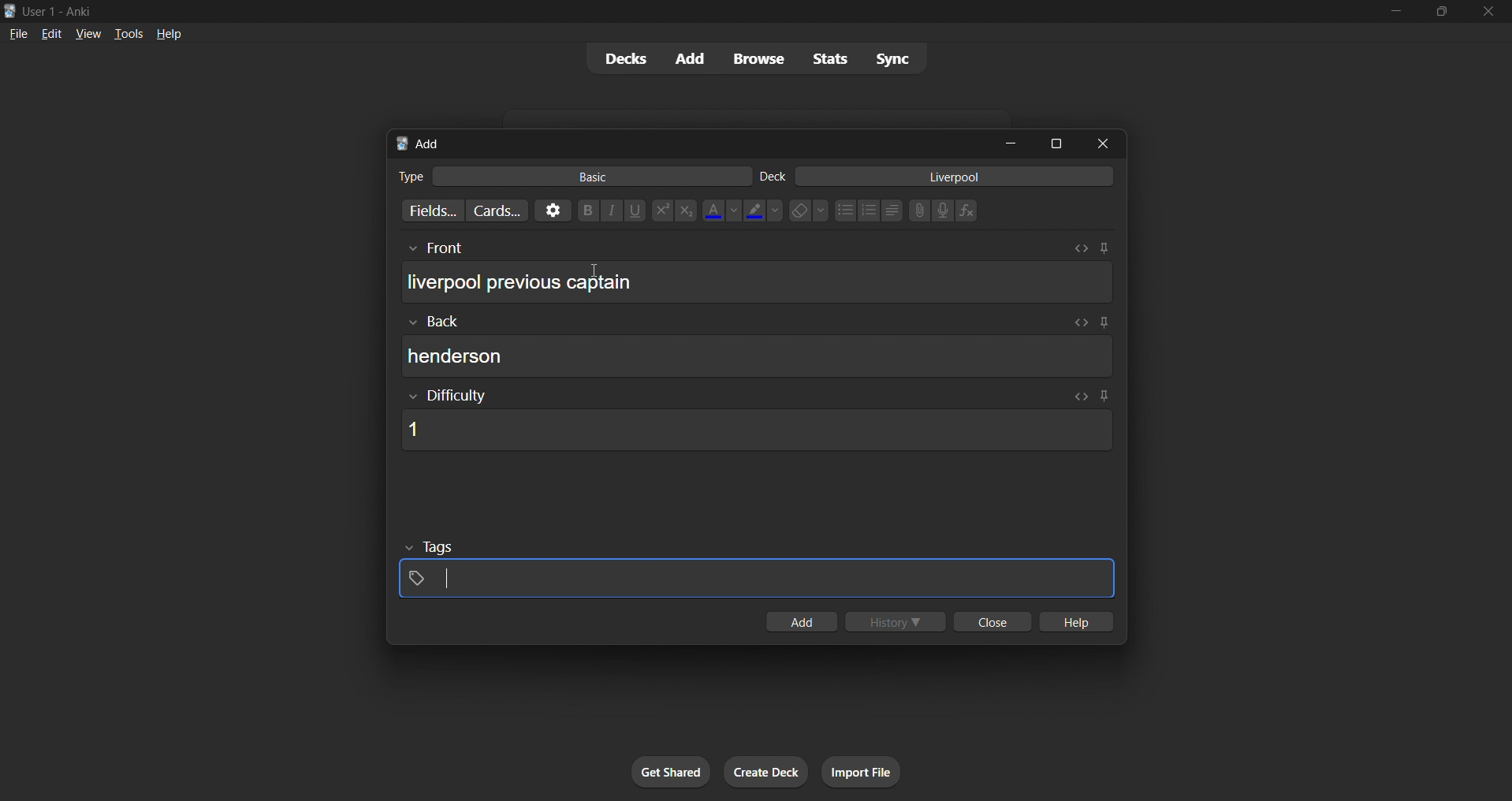 This screenshot has height=801, width=1512. I want to click on font color, so click(717, 209).